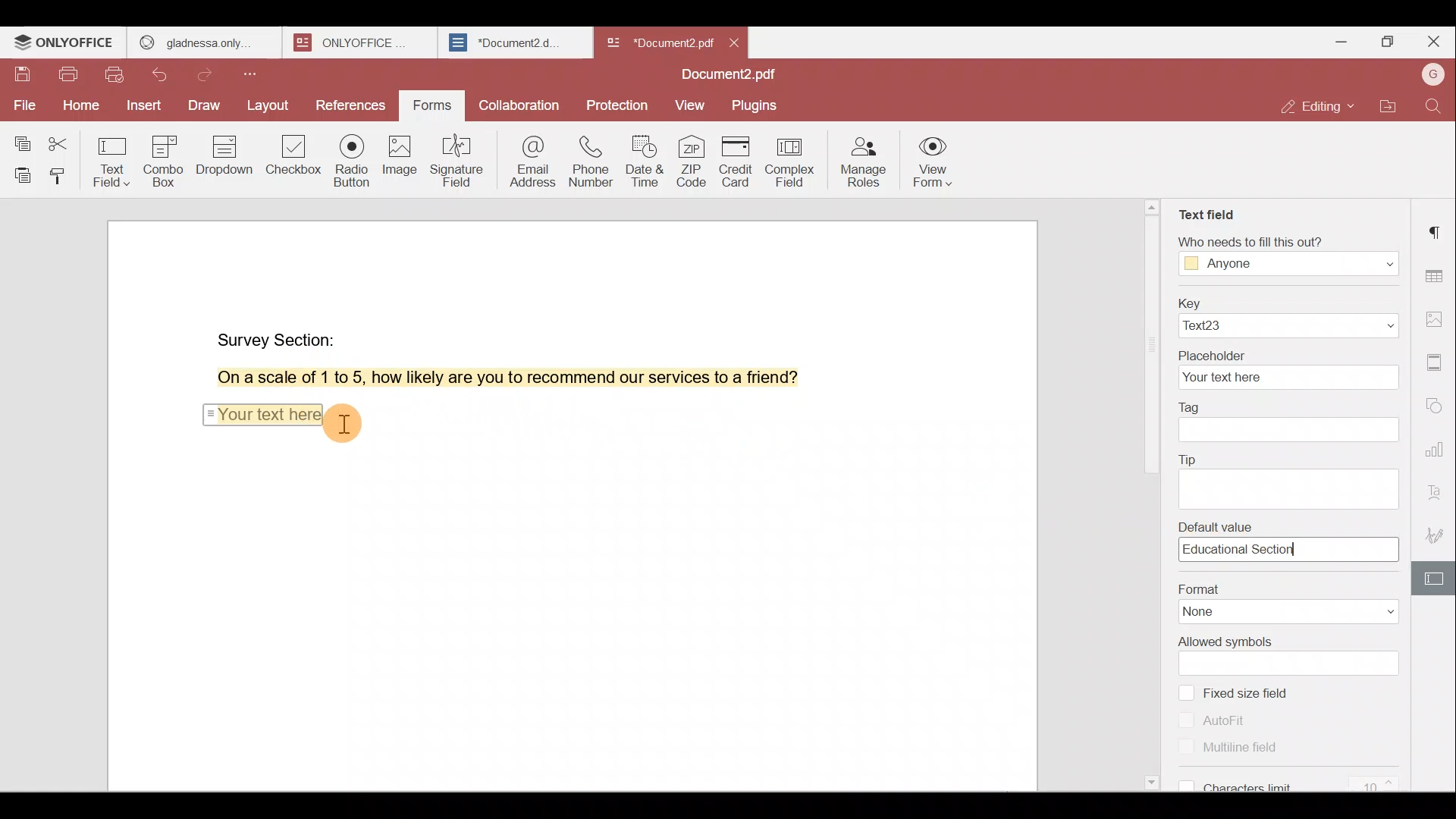  I want to click on Layout, so click(268, 106).